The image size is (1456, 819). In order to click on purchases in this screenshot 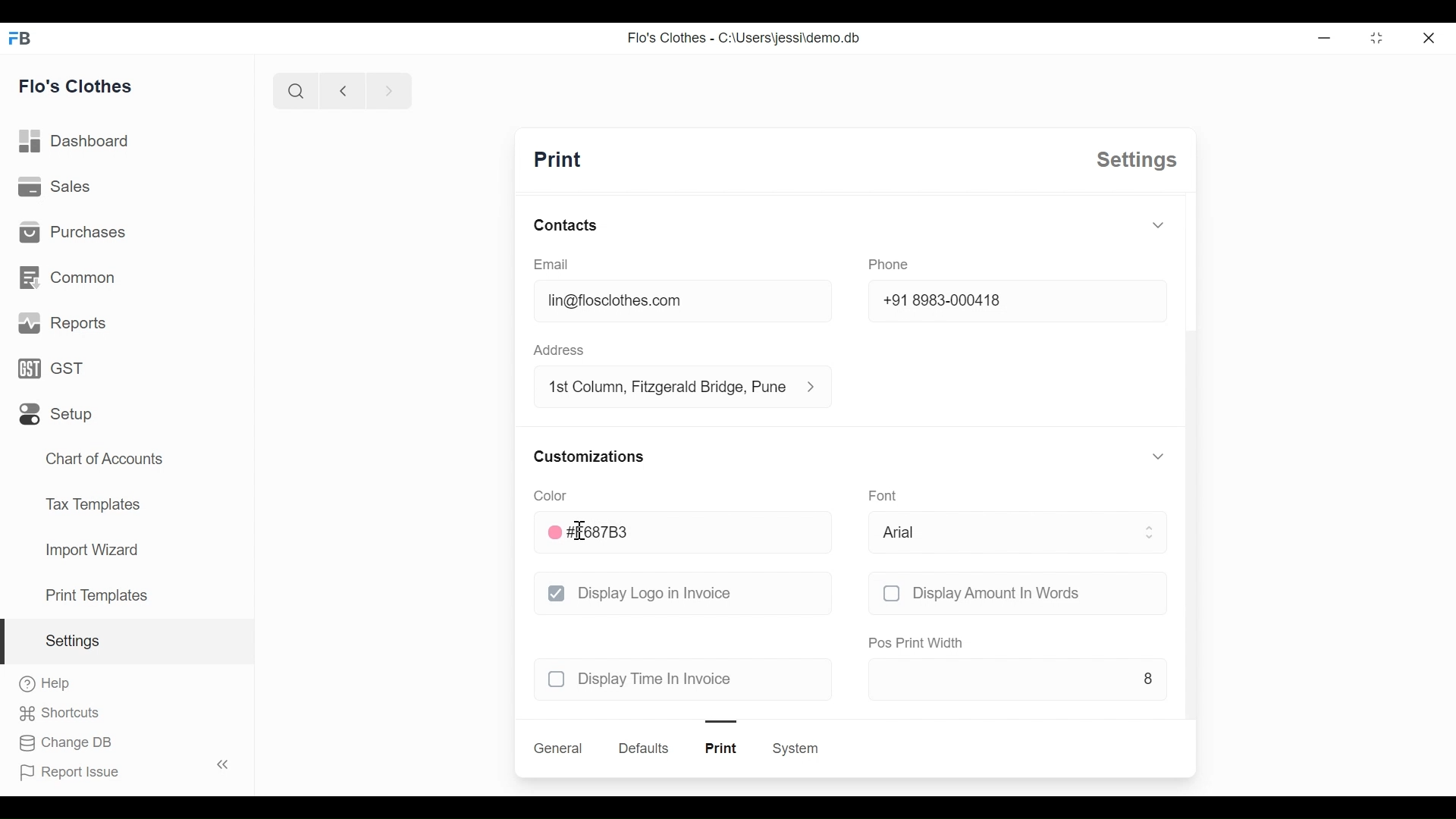, I will do `click(71, 231)`.